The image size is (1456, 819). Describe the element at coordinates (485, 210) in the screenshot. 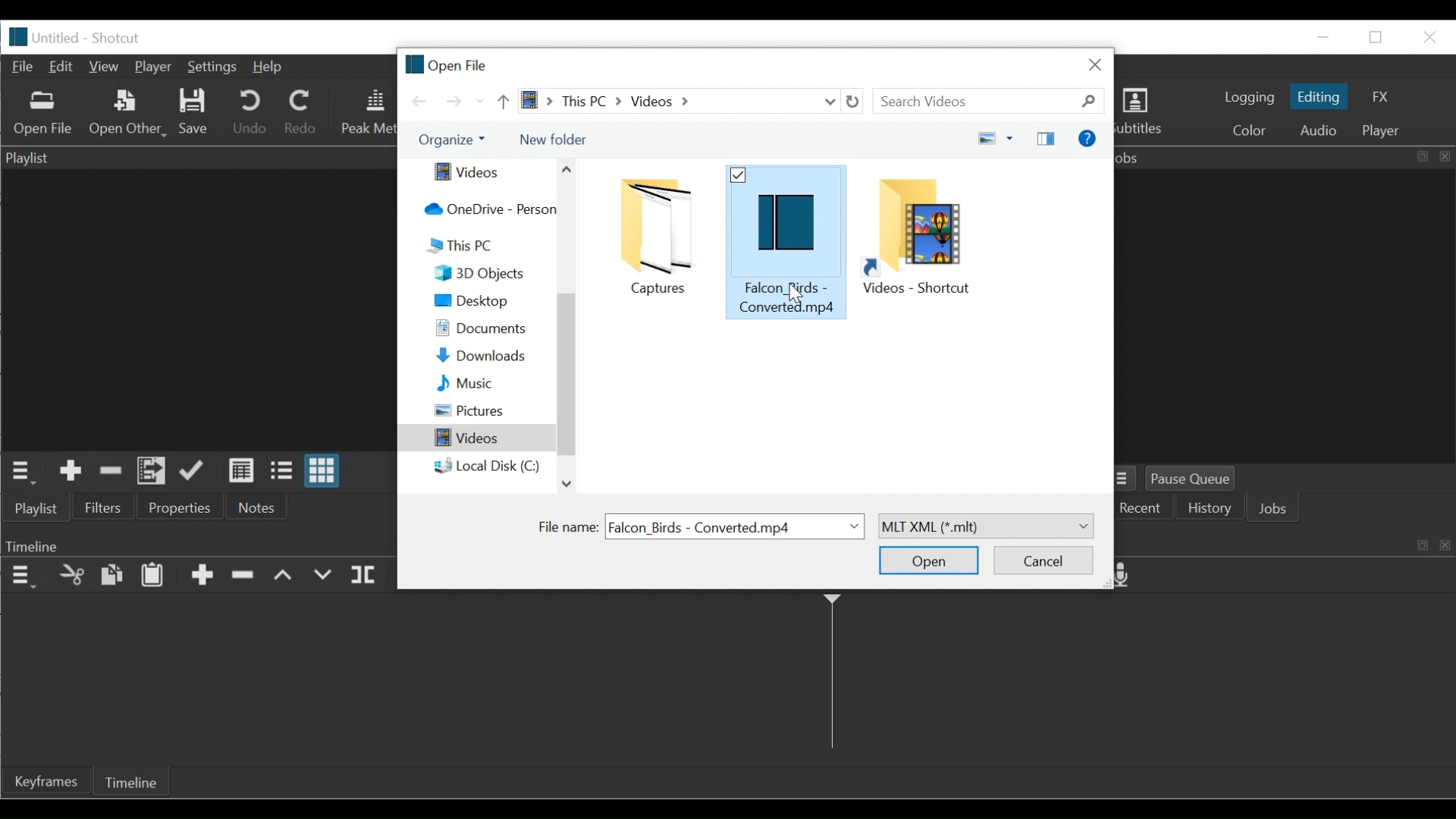

I see `OneDrive` at that location.